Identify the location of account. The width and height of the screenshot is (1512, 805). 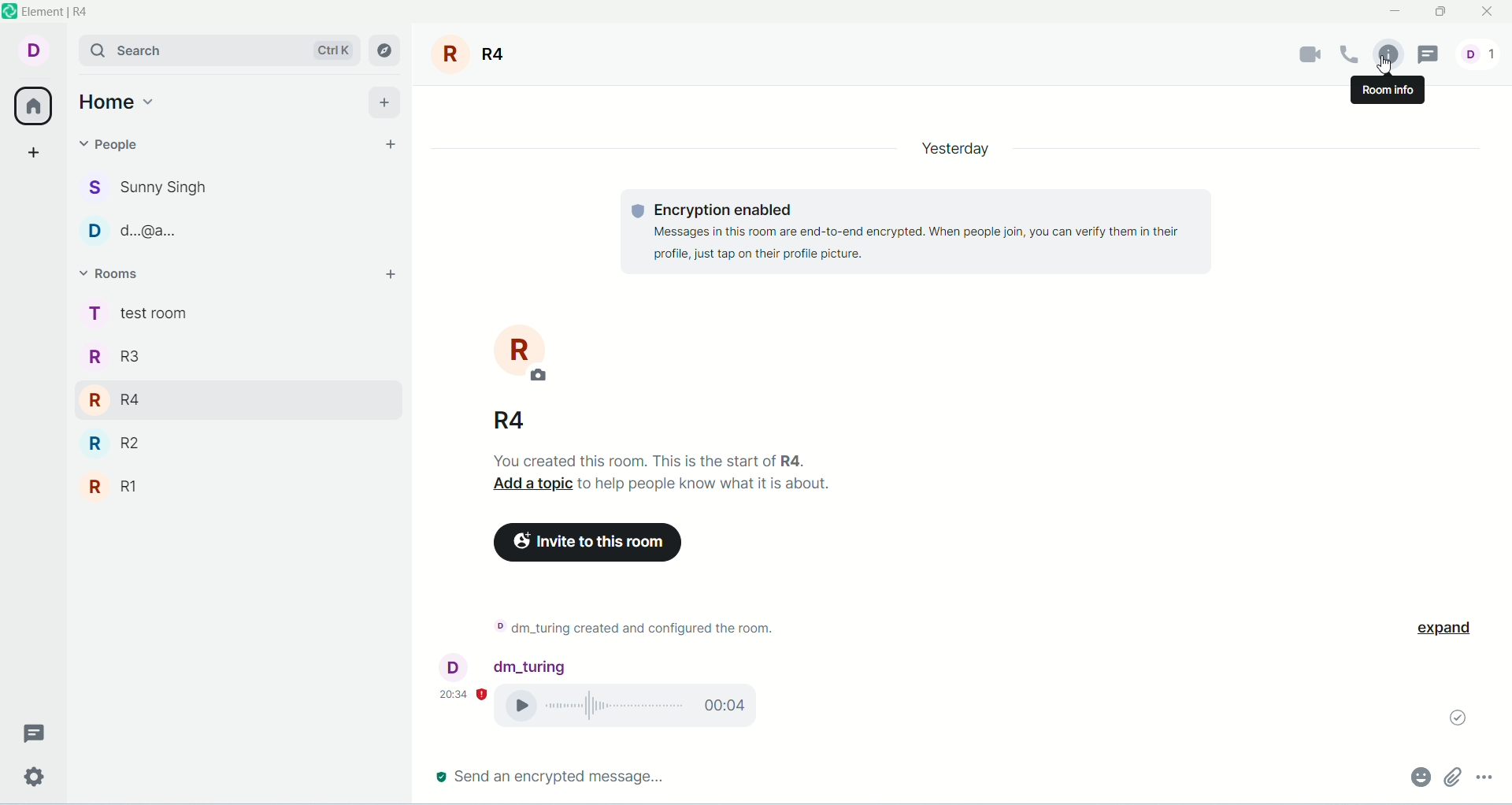
(31, 49).